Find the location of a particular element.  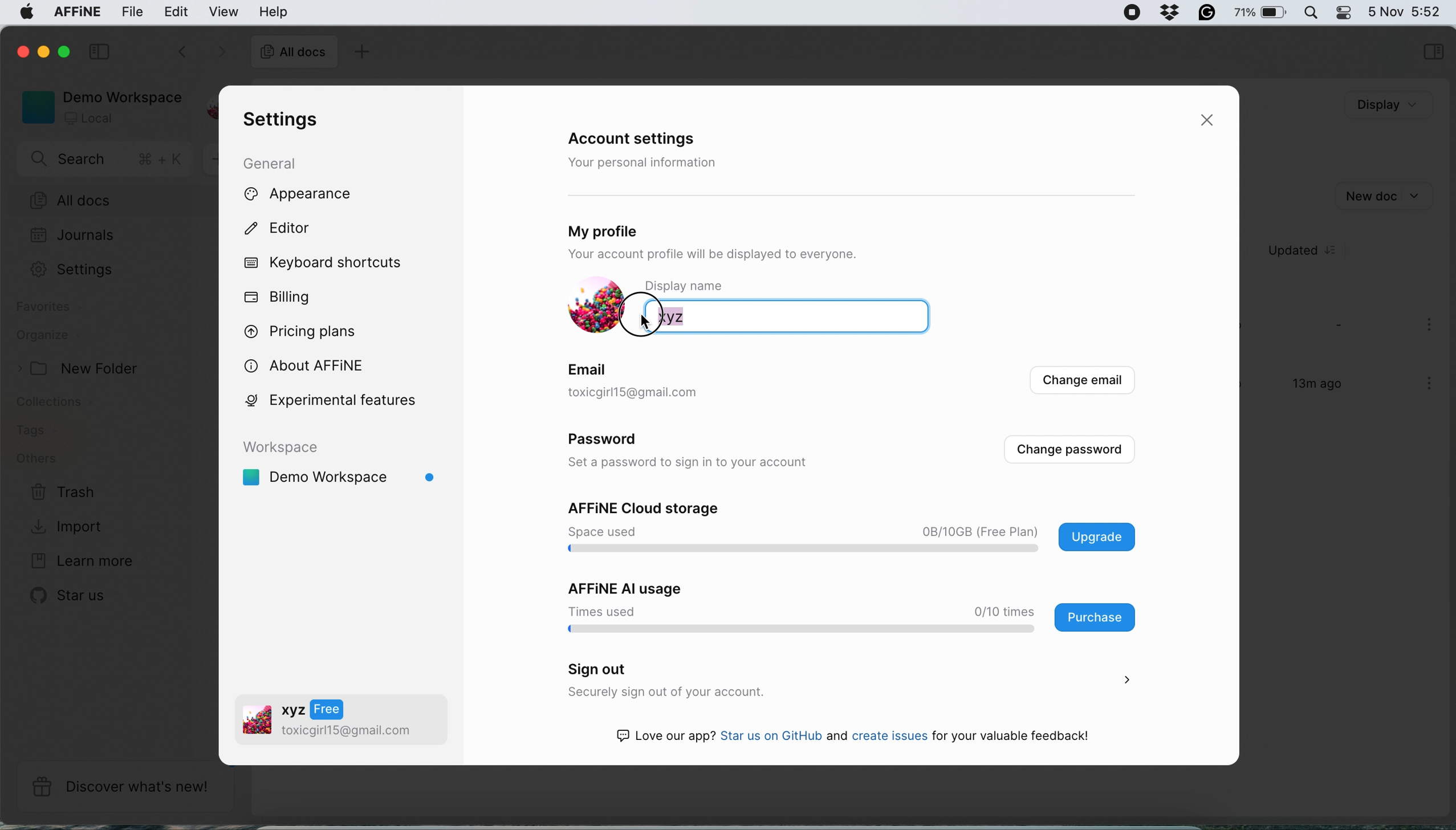

account settings is located at coordinates (640, 140).